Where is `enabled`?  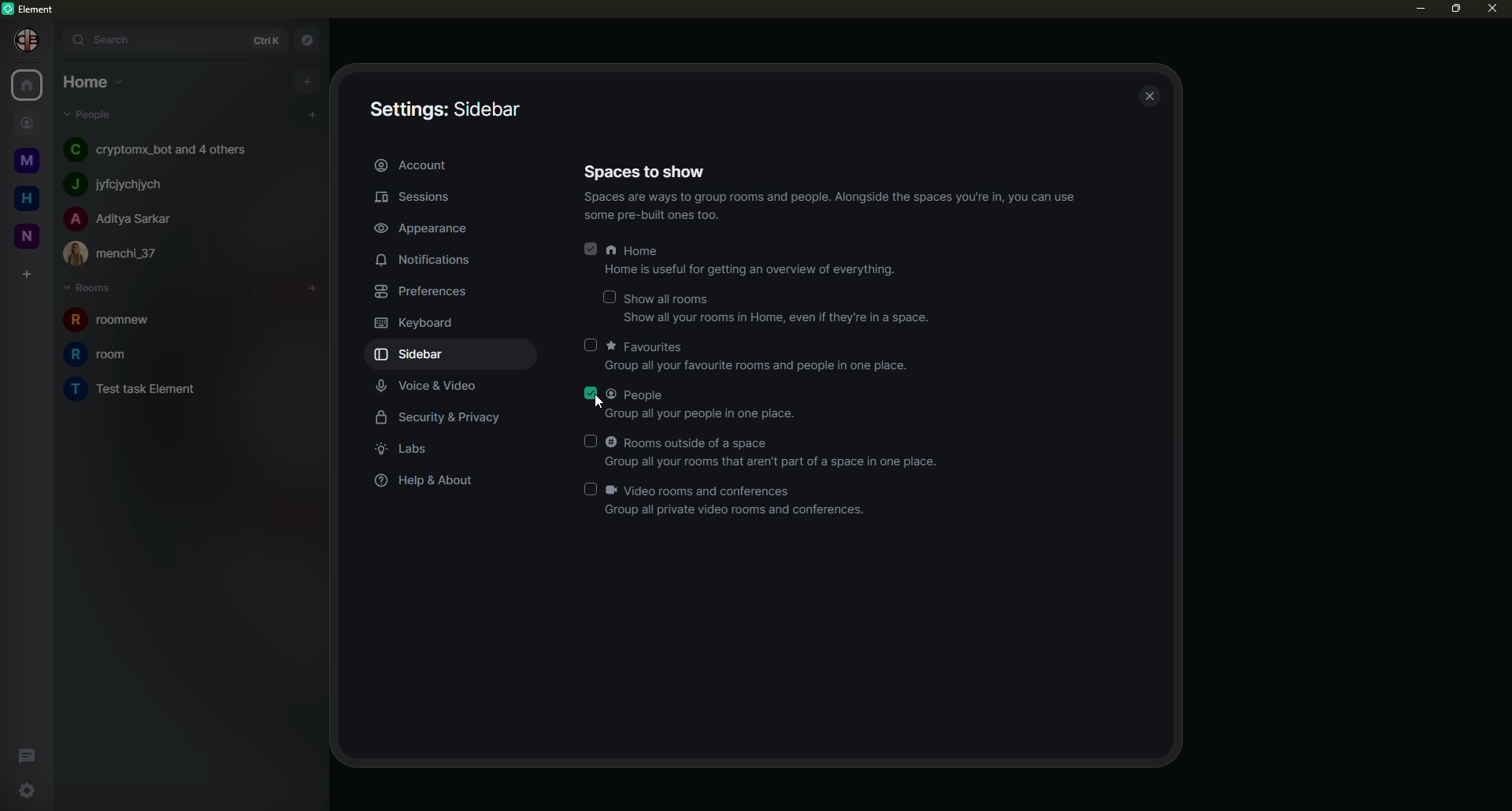 enabled is located at coordinates (591, 246).